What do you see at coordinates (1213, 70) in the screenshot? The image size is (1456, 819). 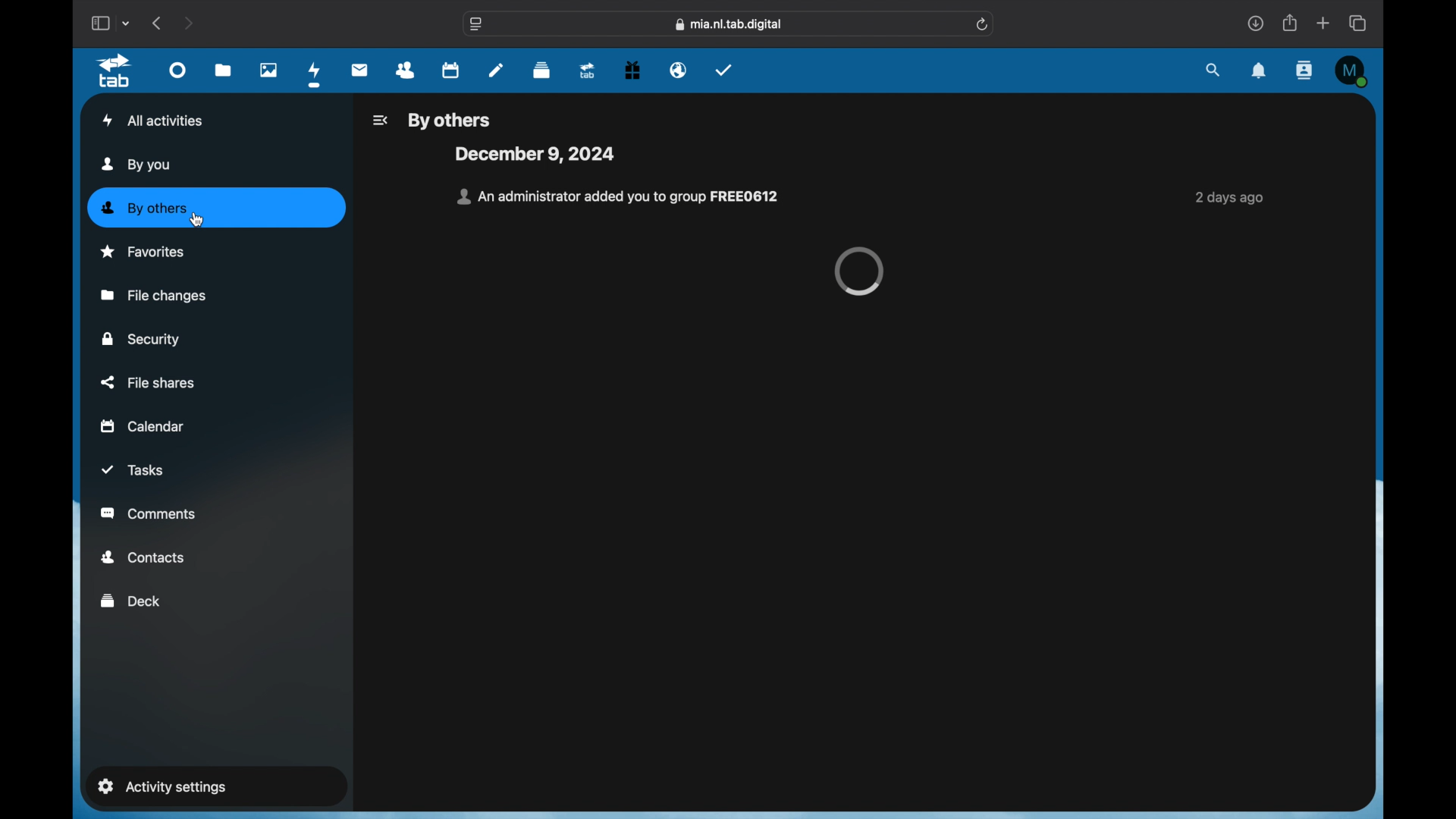 I see `search` at bounding box center [1213, 70].